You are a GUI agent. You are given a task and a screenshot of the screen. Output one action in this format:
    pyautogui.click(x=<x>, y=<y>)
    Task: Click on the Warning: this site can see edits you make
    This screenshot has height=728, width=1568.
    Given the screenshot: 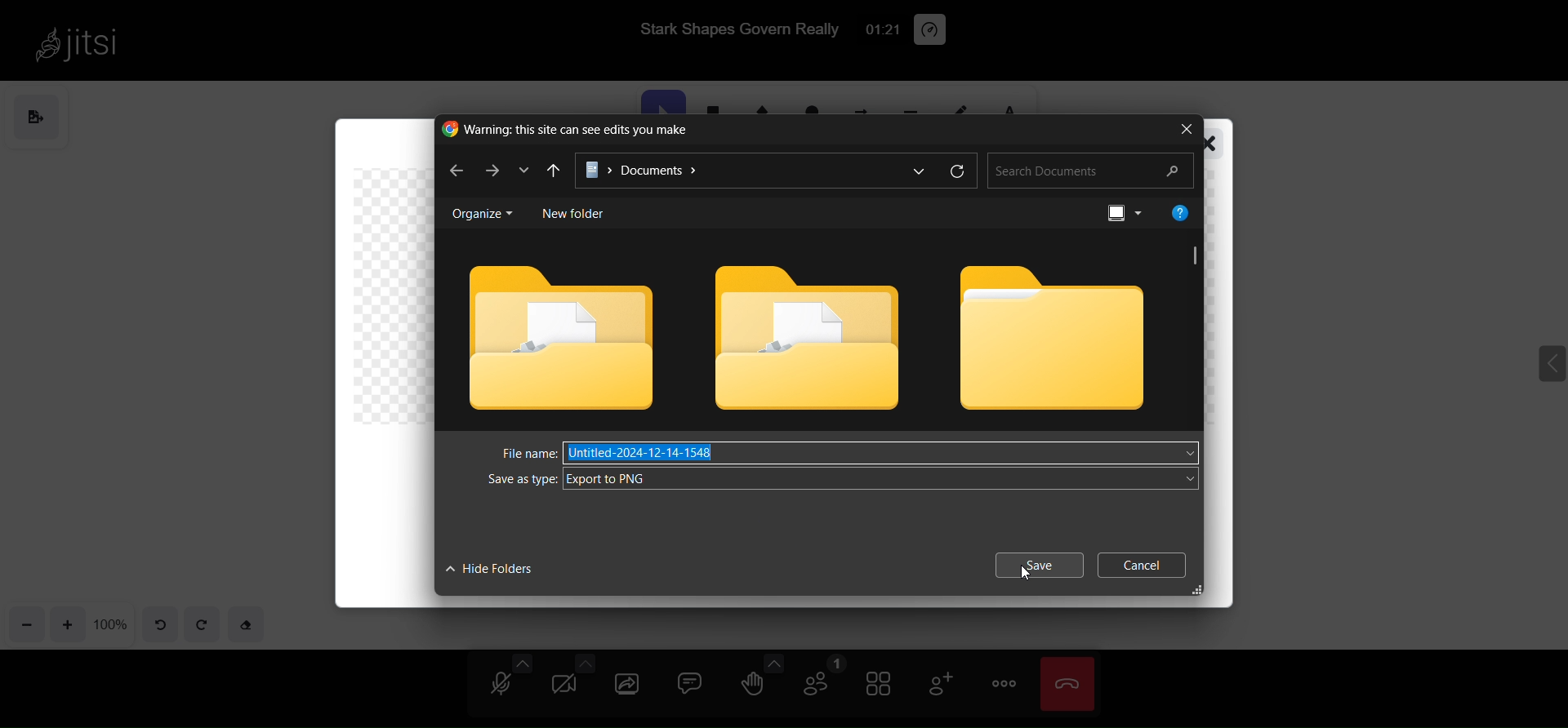 What is the action you would take?
    pyautogui.click(x=565, y=128)
    